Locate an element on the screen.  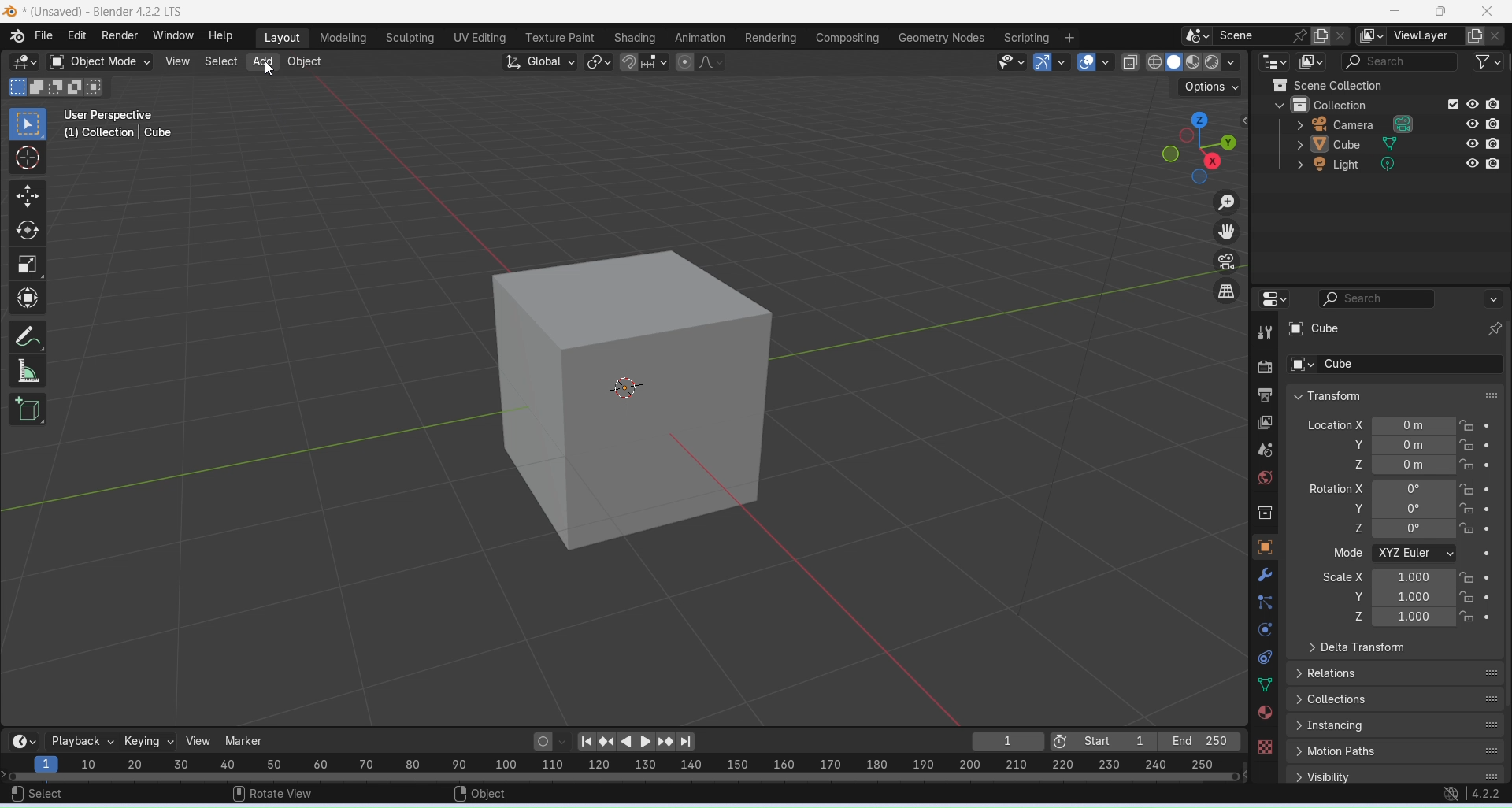
Snap is located at coordinates (629, 62).